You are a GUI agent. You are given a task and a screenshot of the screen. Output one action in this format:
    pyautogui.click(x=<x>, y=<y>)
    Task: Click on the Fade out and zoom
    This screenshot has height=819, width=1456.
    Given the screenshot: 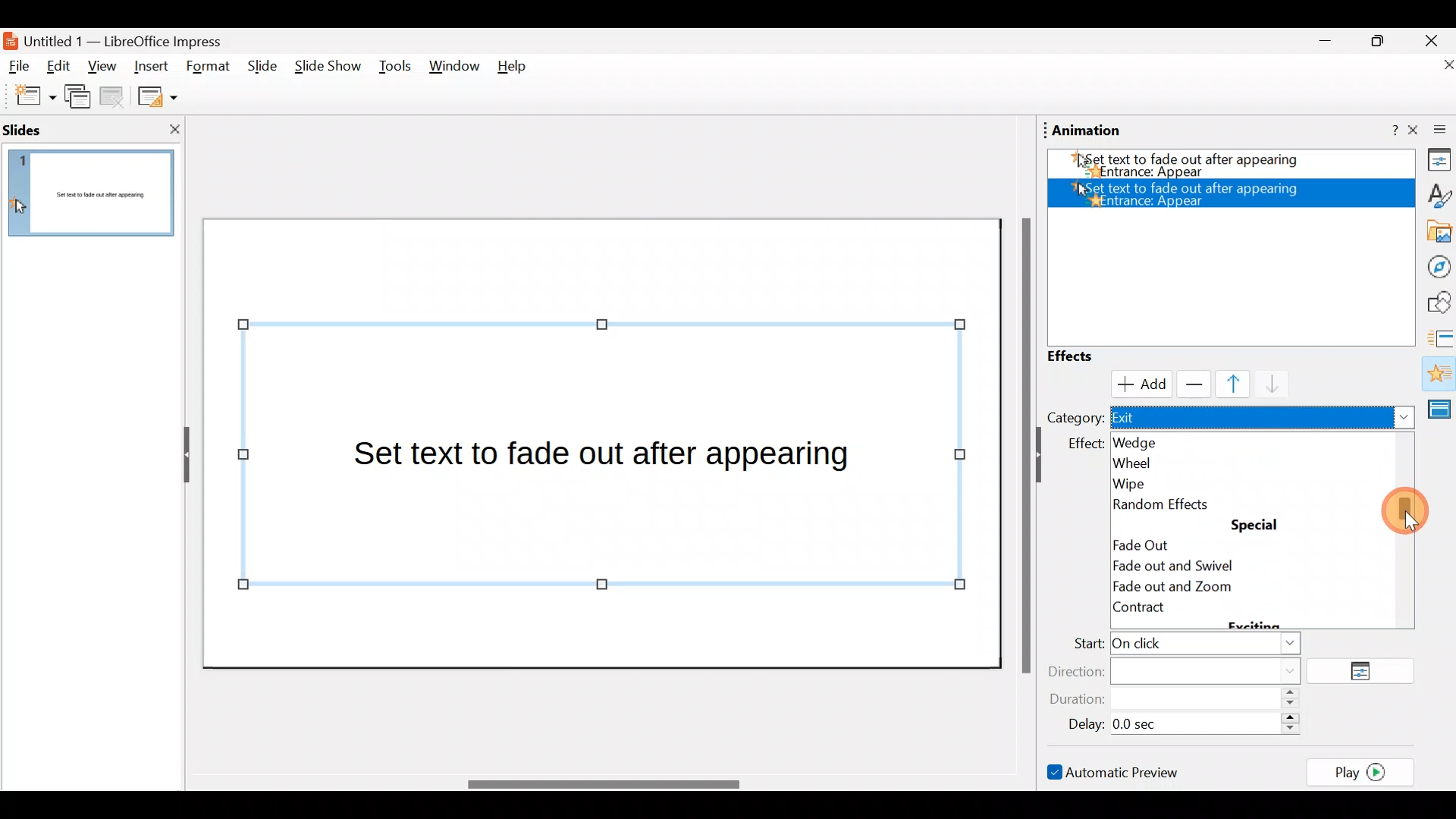 What is the action you would take?
    pyautogui.click(x=1194, y=588)
    